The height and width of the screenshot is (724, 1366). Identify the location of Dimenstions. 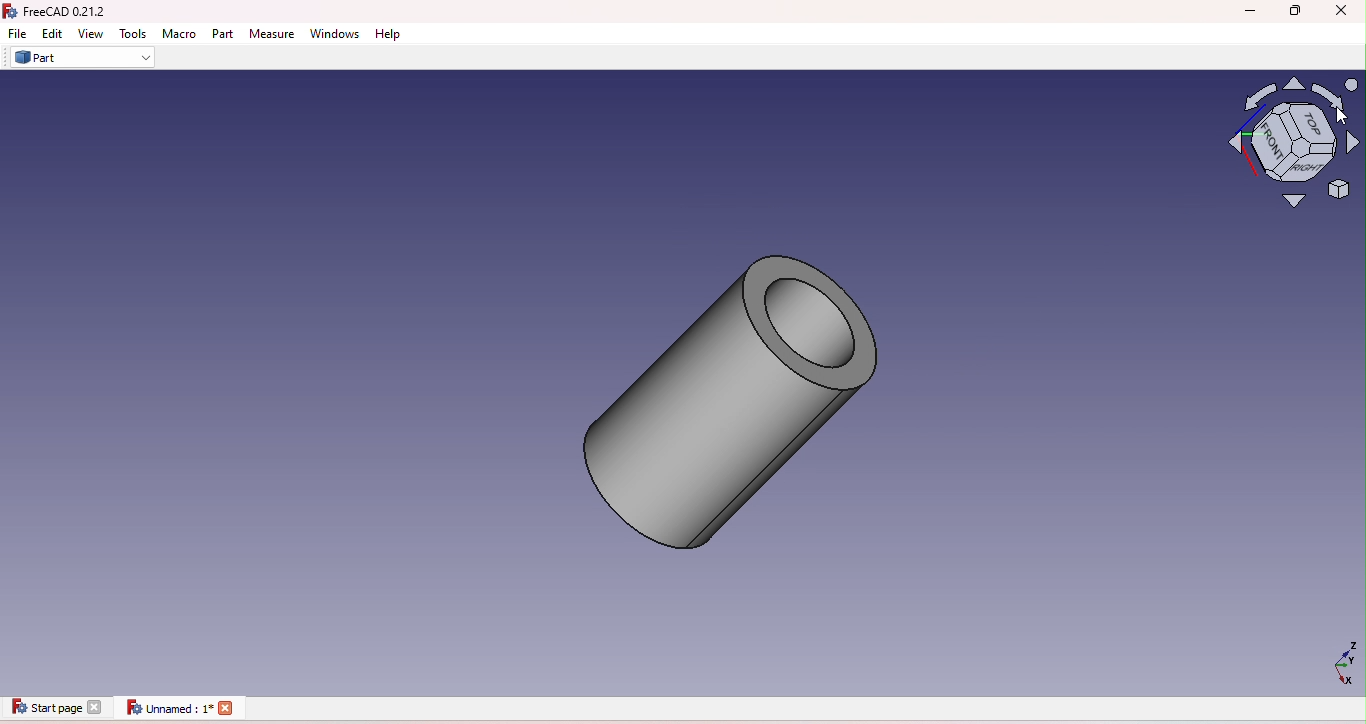
(1336, 667).